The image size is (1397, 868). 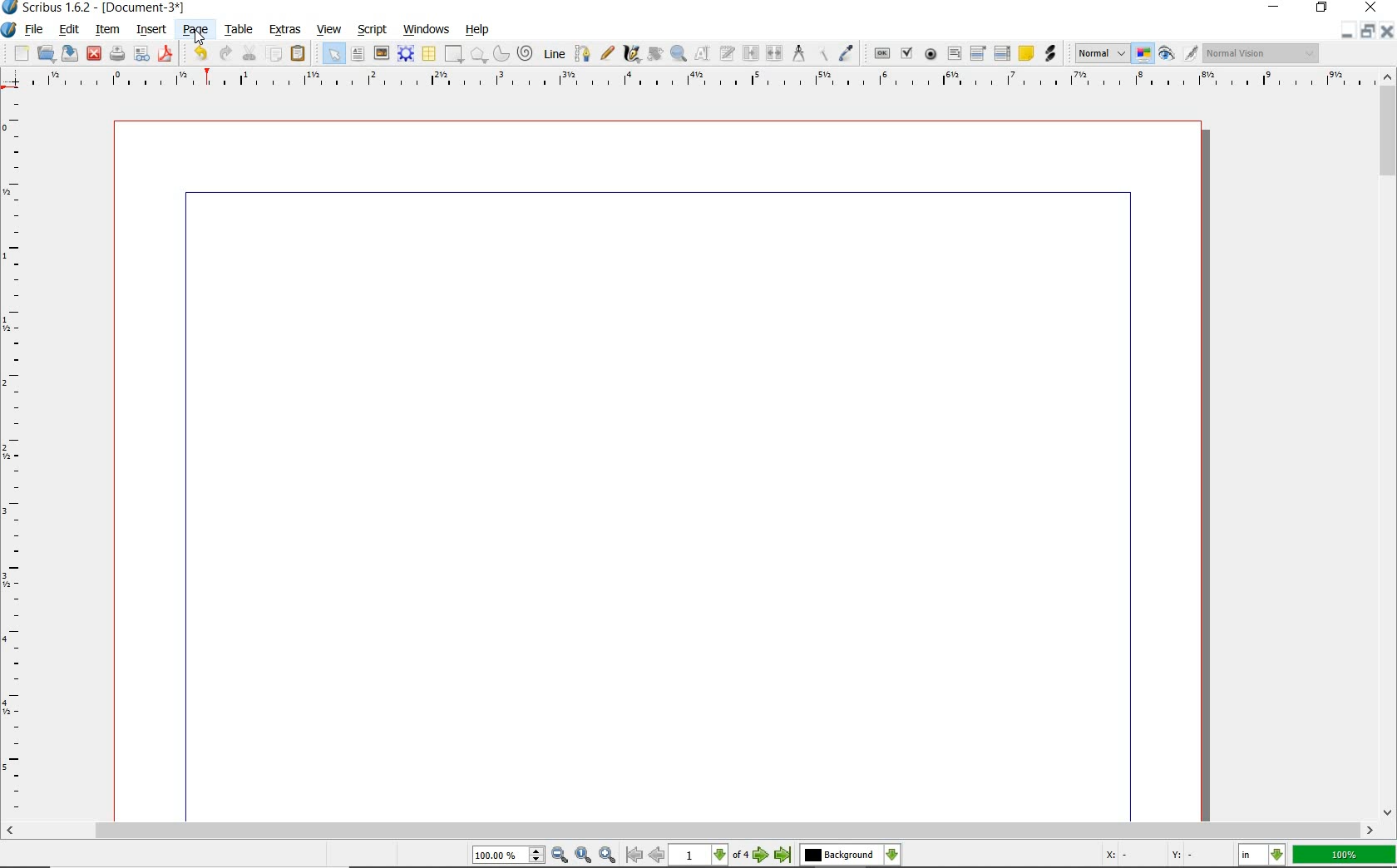 I want to click on select the current layer, so click(x=848, y=856).